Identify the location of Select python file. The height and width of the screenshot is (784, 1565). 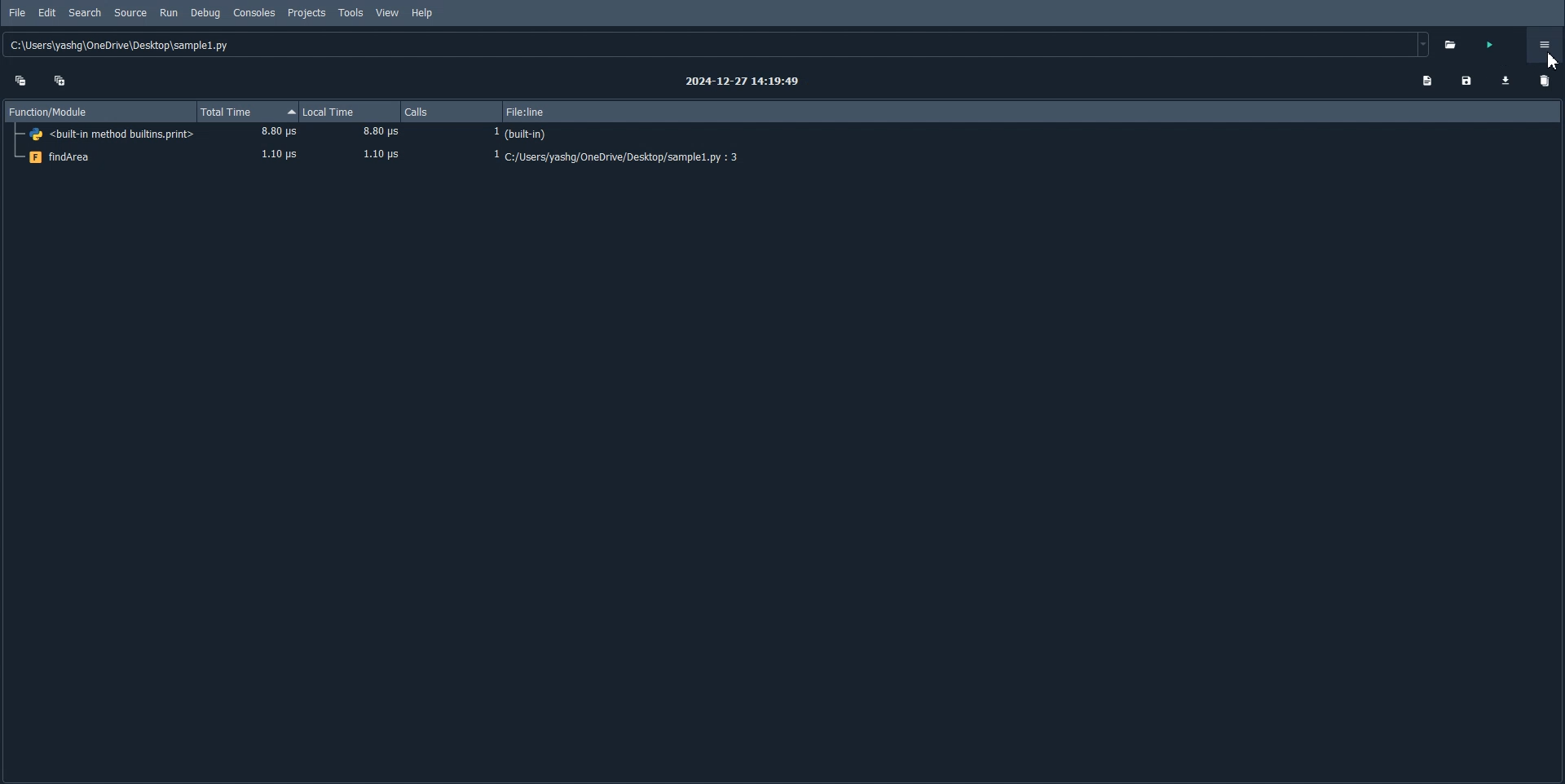
(1453, 44).